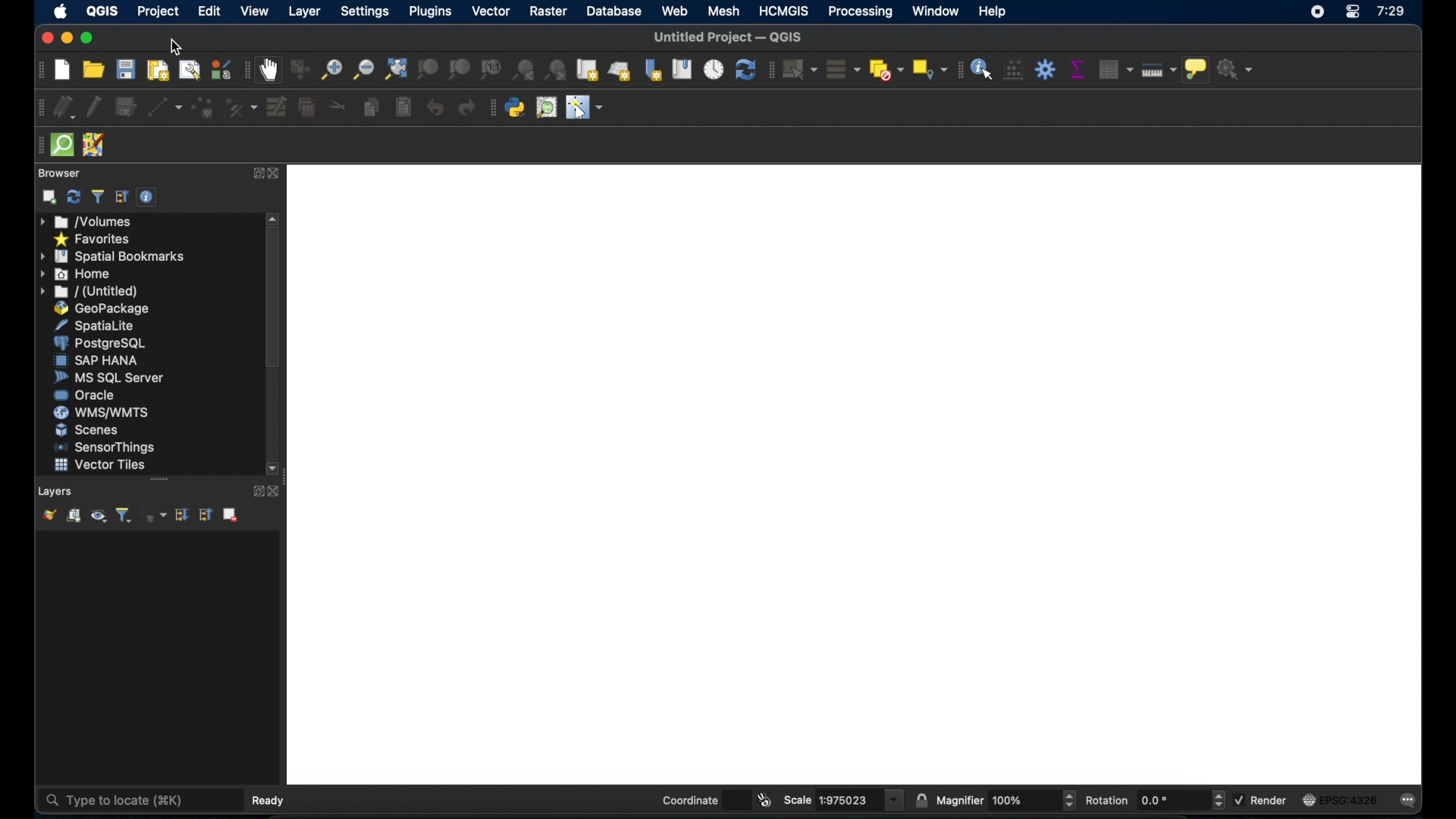 This screenshot has height=819, width=1456. What do you see at coordinates (650, 70) in the screenshot?
I see `new spatial bookmark` at bounding box center [650, 70].